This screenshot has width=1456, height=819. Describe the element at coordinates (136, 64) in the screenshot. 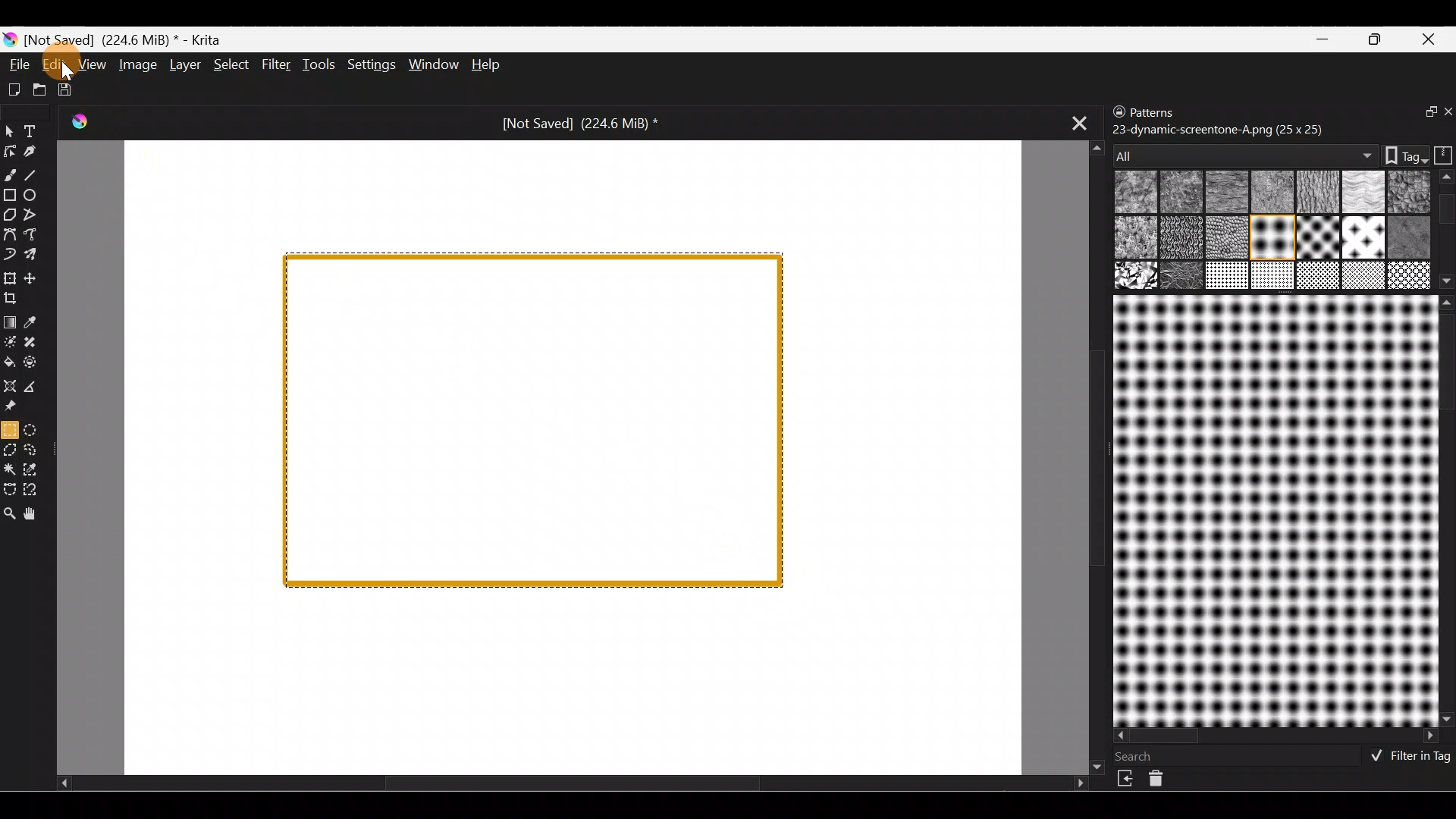

I see `Image` at that location.